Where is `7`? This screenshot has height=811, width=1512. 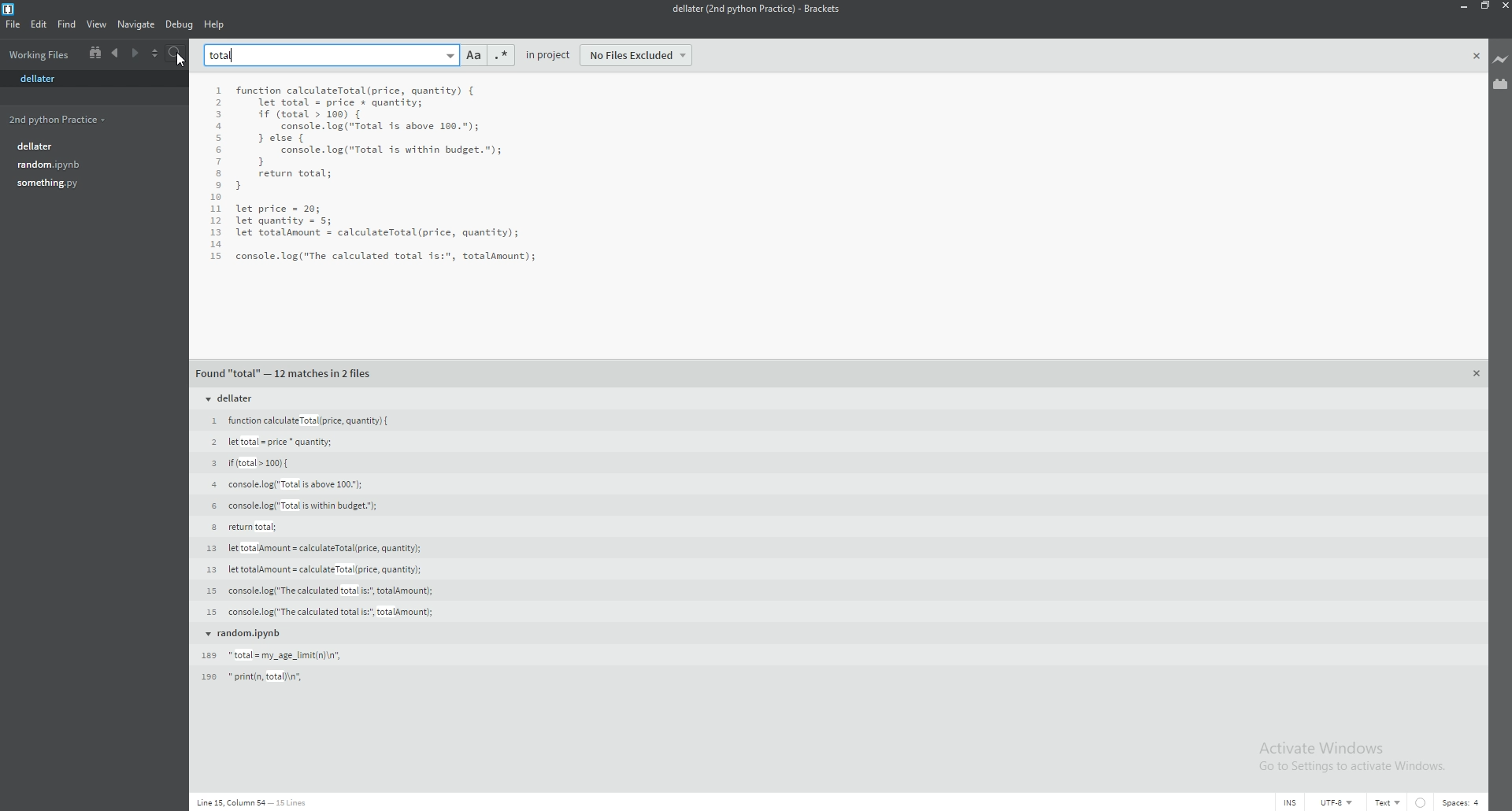
7 is located at coordinates (217, 163).